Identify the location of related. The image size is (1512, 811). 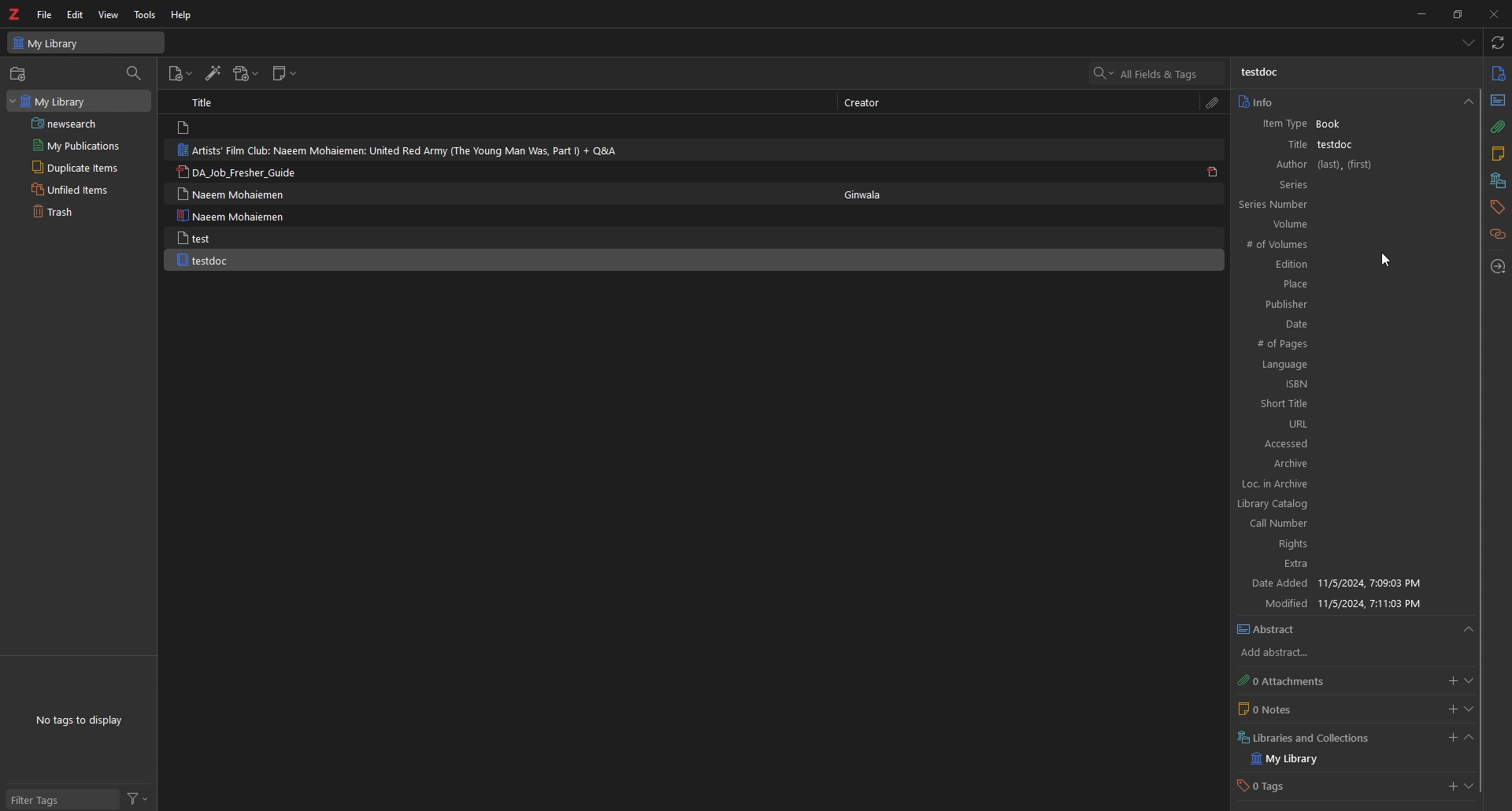
(1499, 235).